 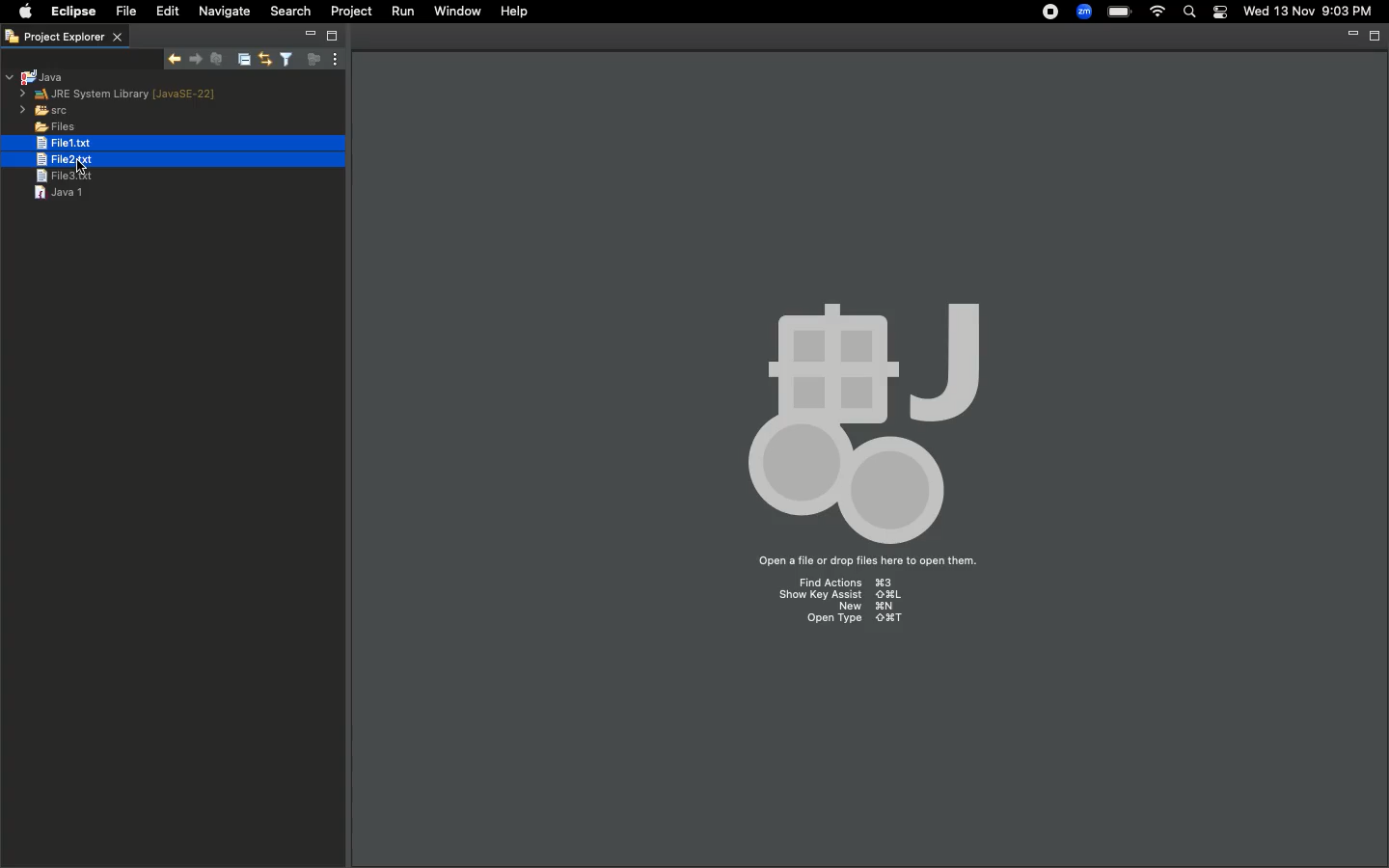 What do you see at coordinates (459, 11) in the screenshot?
I see `Window` at bounding box center [459, 11].